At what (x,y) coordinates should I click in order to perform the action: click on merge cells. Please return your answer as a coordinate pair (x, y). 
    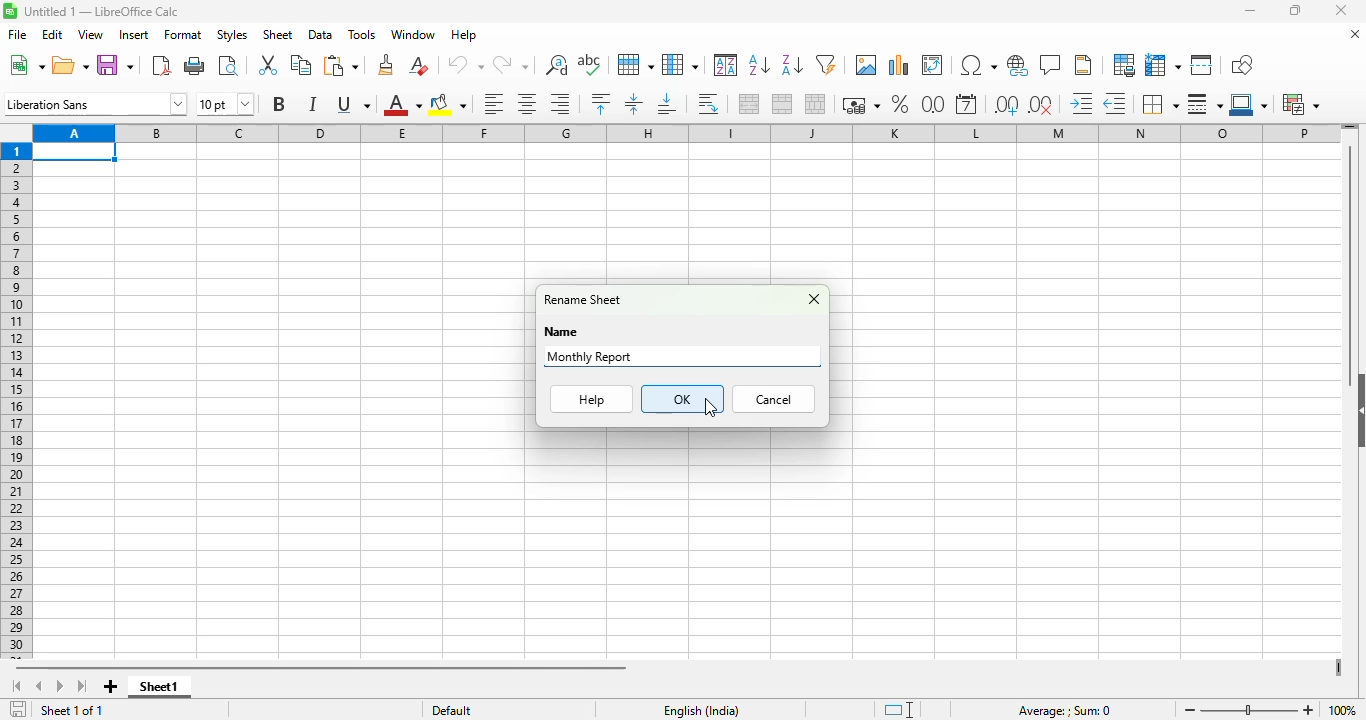
    Looking at the image, I should click on (783, 103).